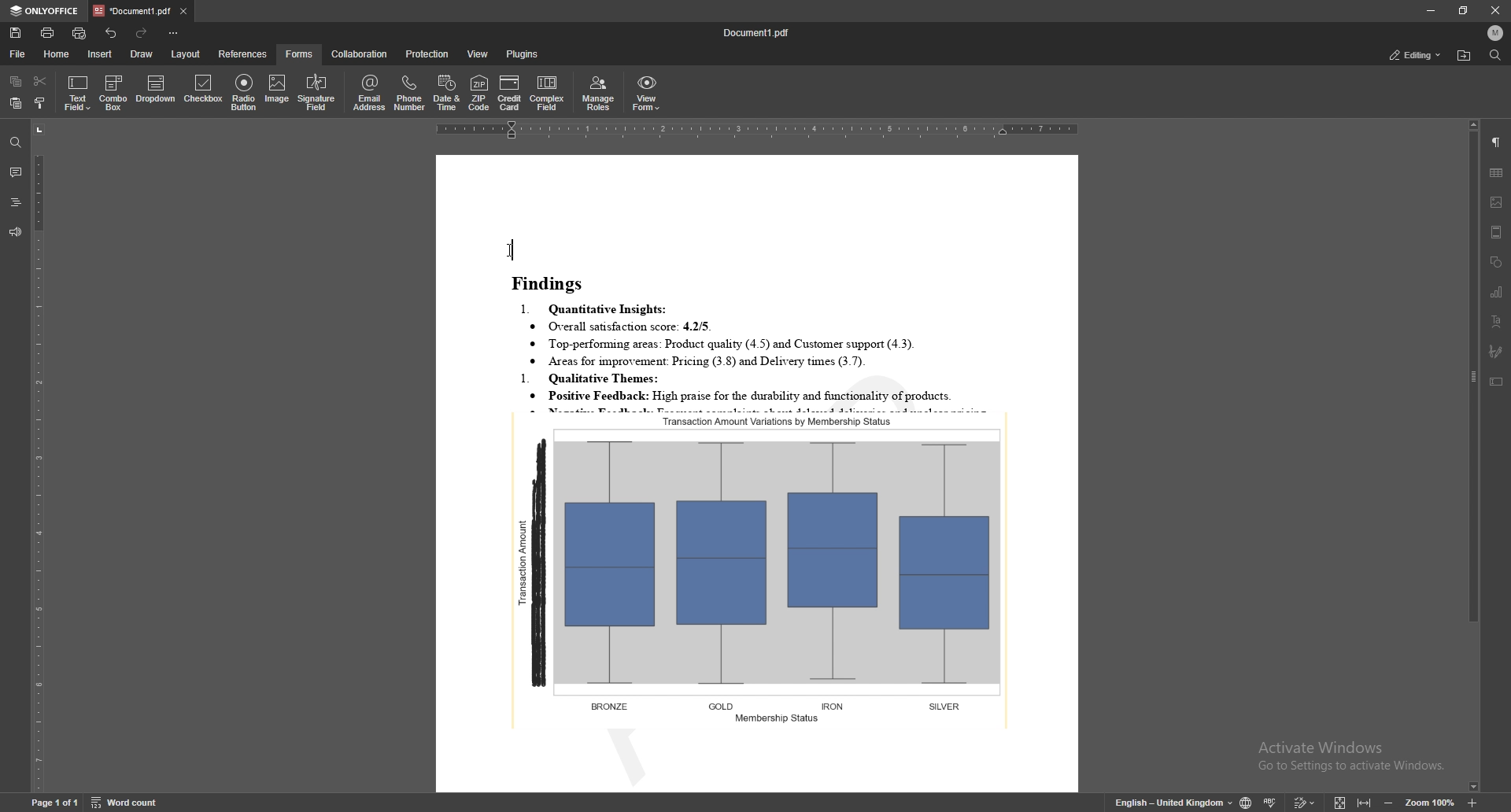 The width and height of the screenshot is (1511, 812). Describe the element at coordinates (1271, 802) in the screenshot. I see `spell check` at that location.